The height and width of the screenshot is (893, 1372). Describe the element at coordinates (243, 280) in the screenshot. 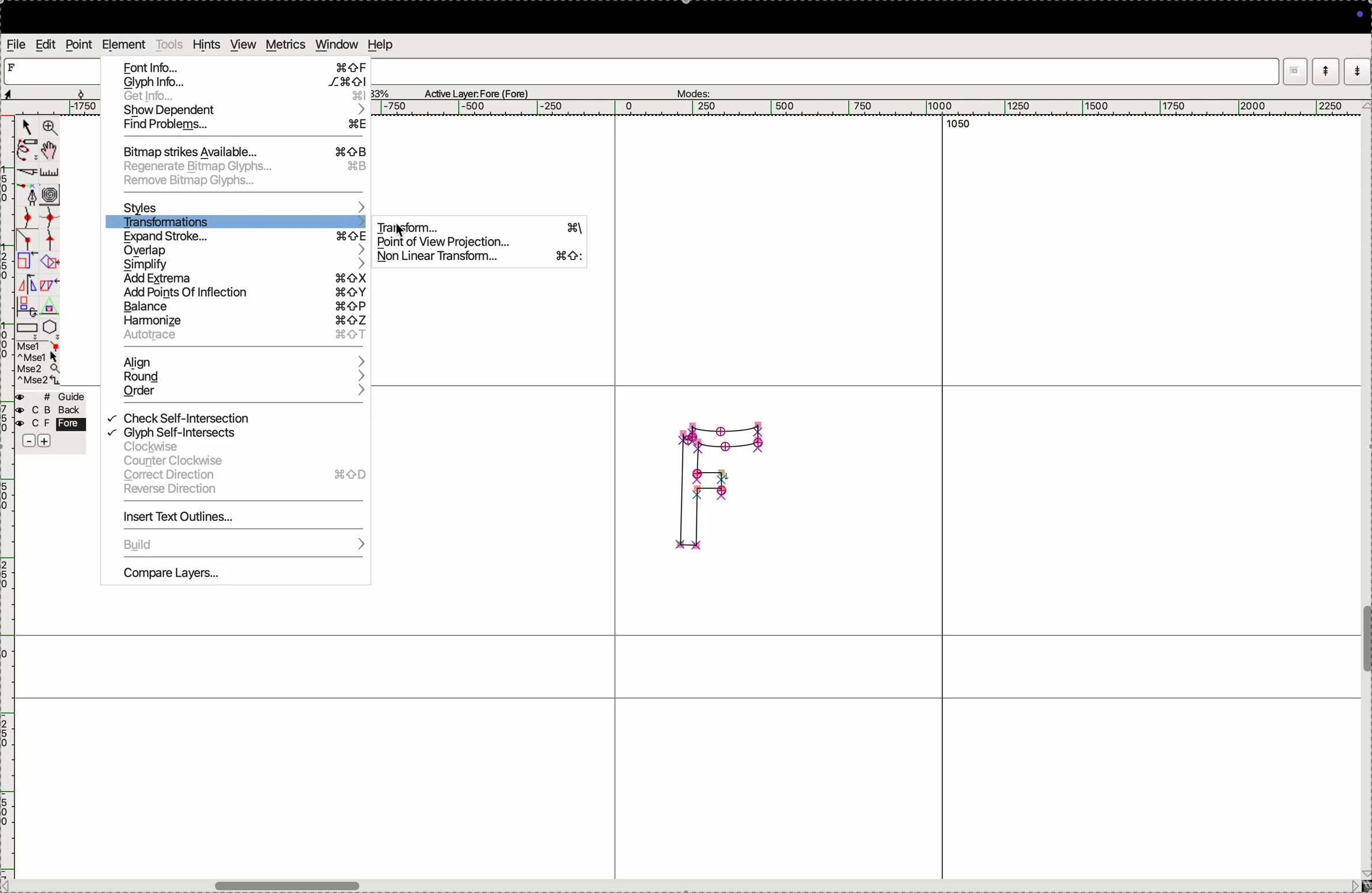

I see `add extrema` at that location.